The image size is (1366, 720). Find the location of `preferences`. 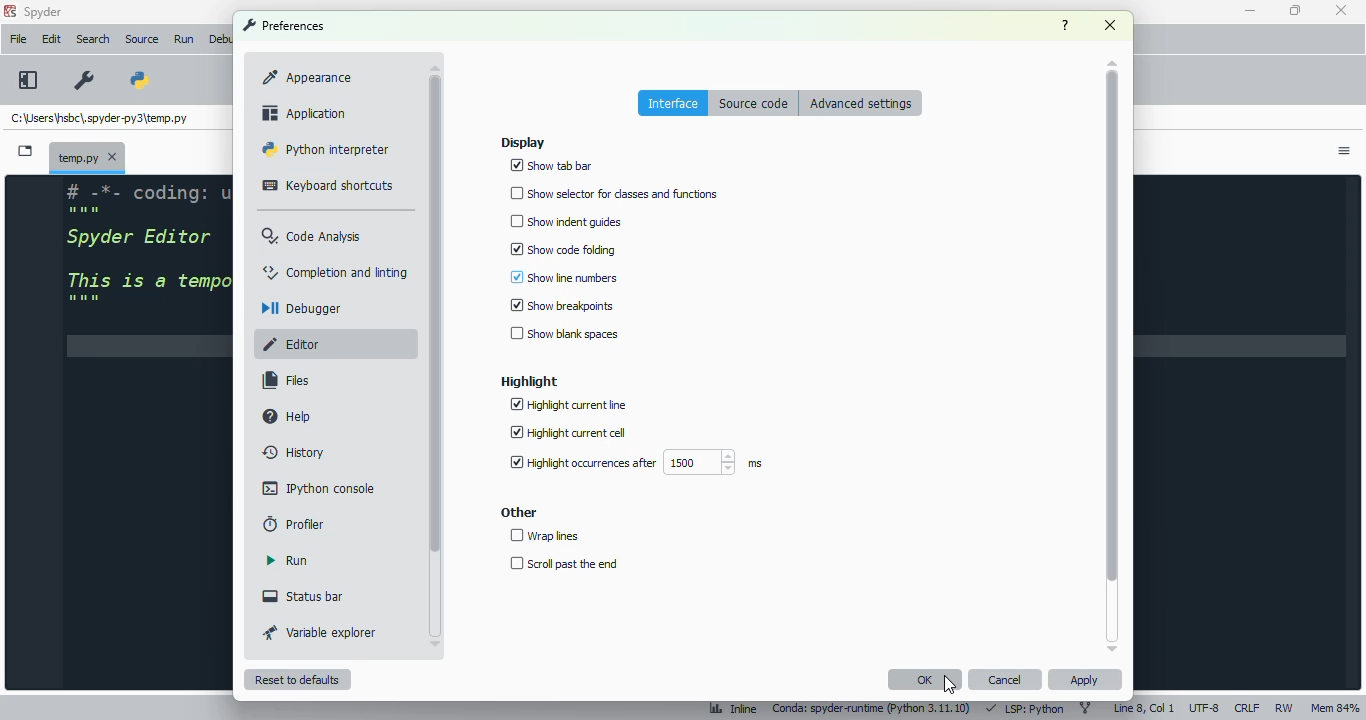

preferences is located at coordinates (83, 80).